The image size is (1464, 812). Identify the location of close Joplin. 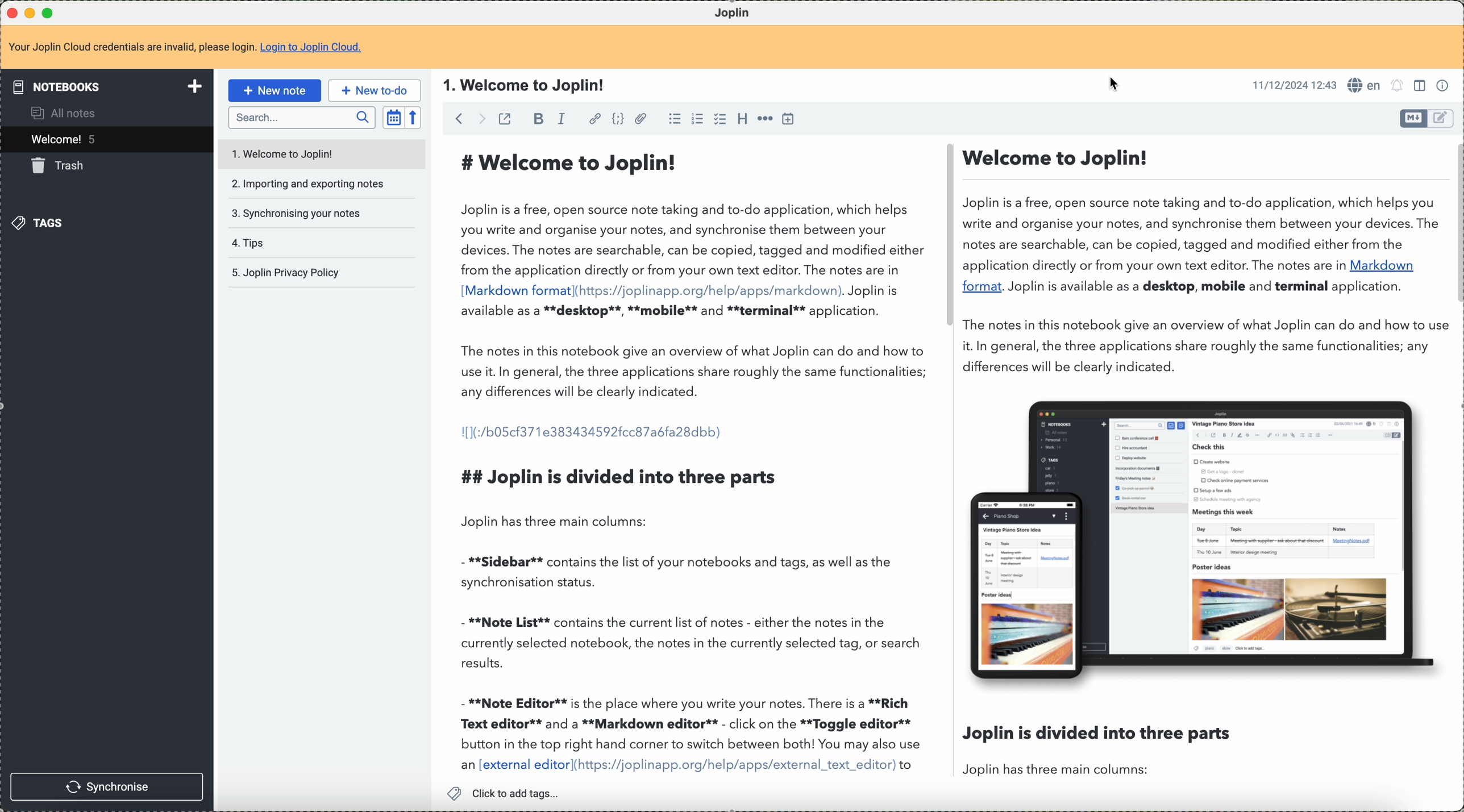
(11, 14).